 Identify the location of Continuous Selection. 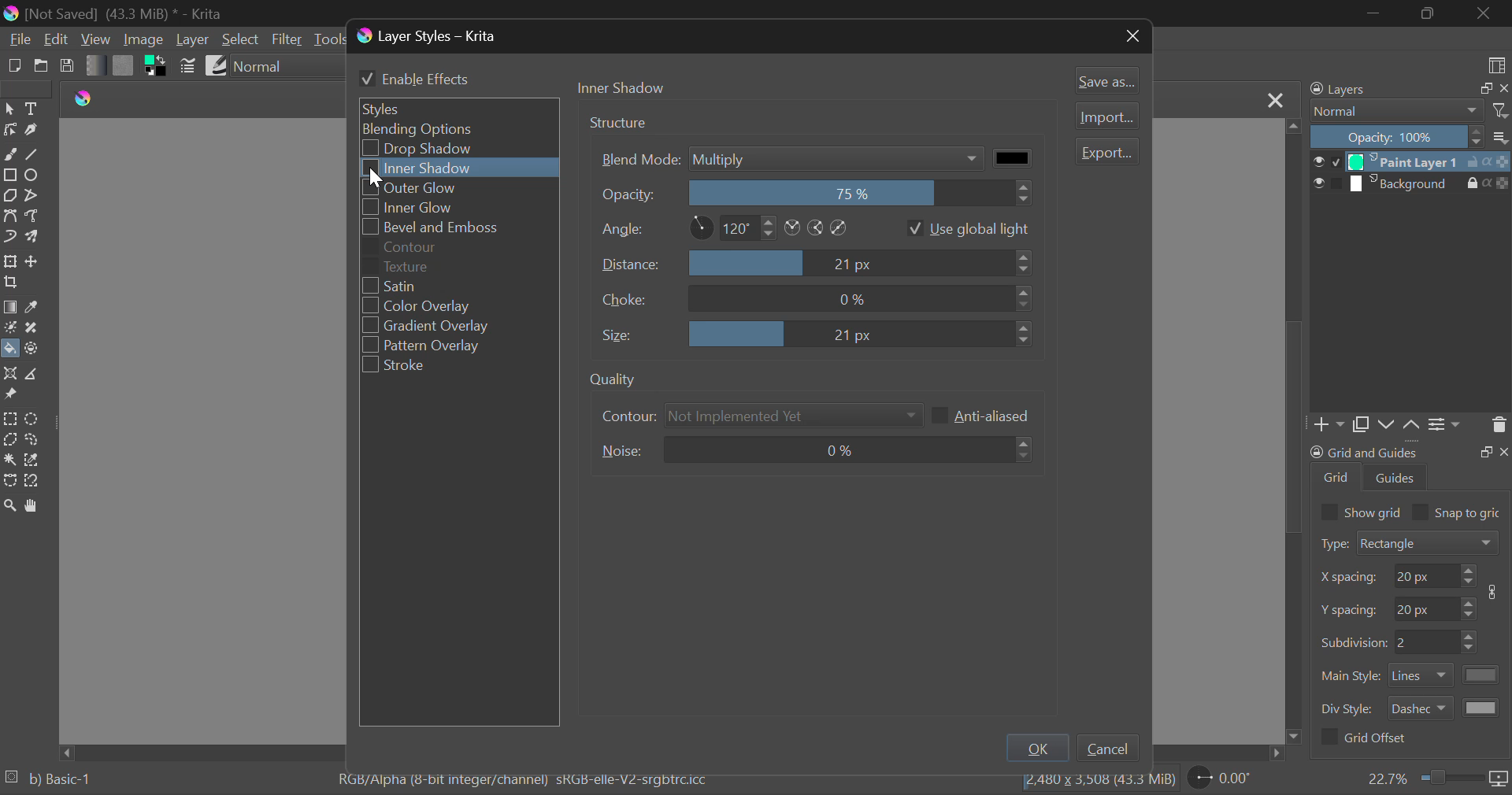
(9, 462).